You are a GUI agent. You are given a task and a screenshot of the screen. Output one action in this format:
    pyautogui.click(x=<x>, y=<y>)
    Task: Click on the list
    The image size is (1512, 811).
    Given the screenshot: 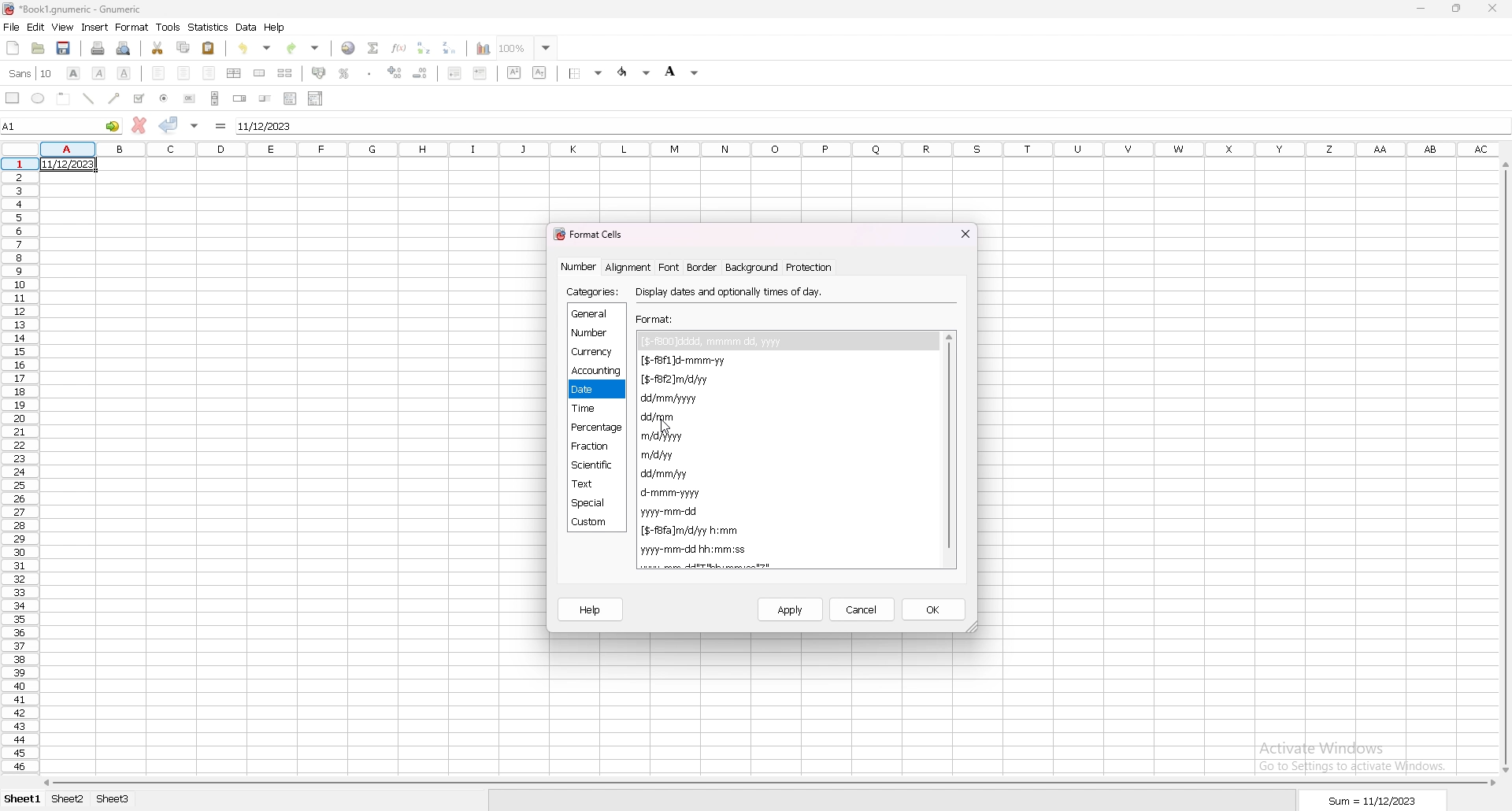 What is the action you would take?
    pyautogui.click(x=291, y=99)
    